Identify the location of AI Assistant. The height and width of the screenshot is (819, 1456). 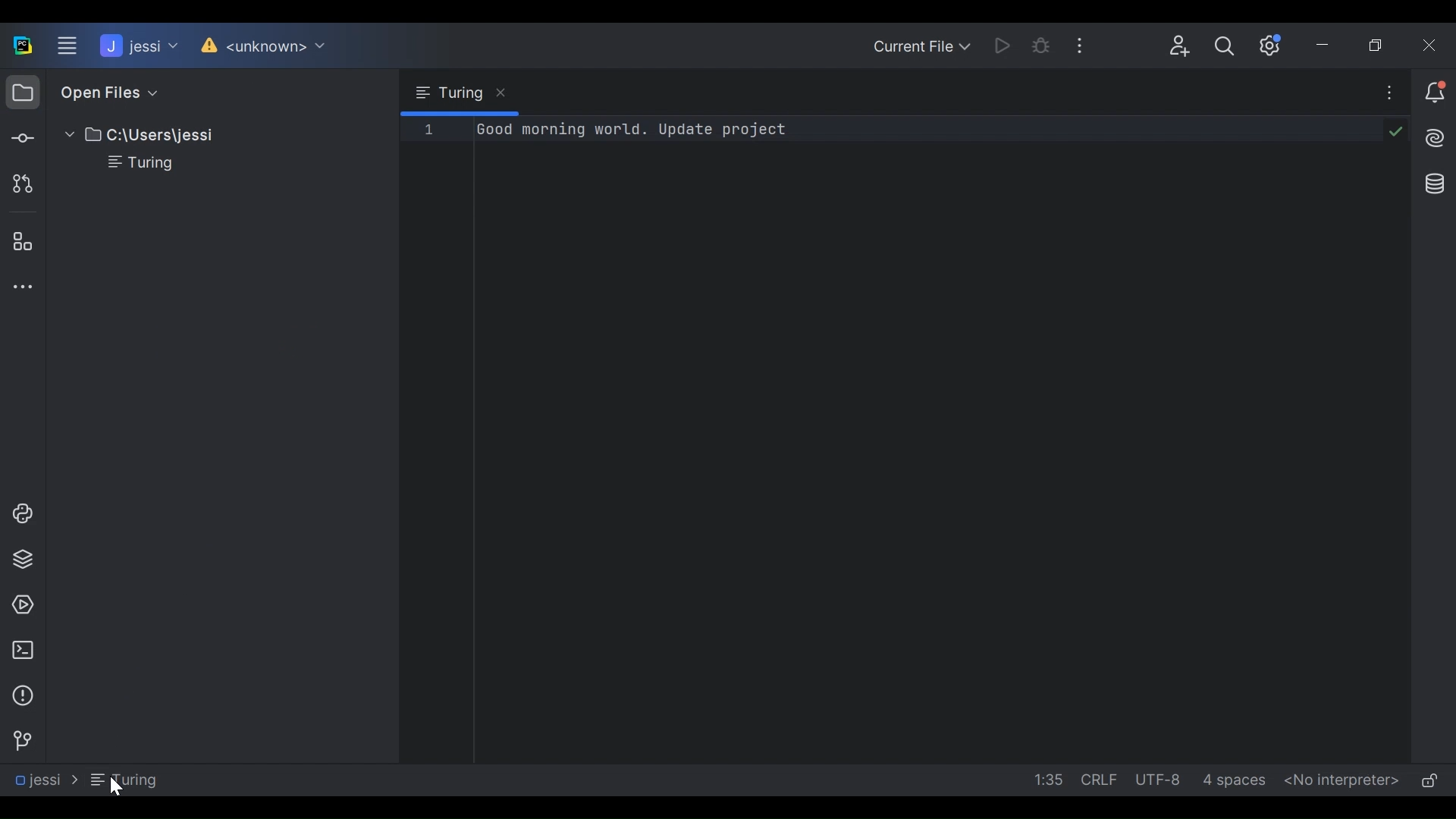
(1433, 136).